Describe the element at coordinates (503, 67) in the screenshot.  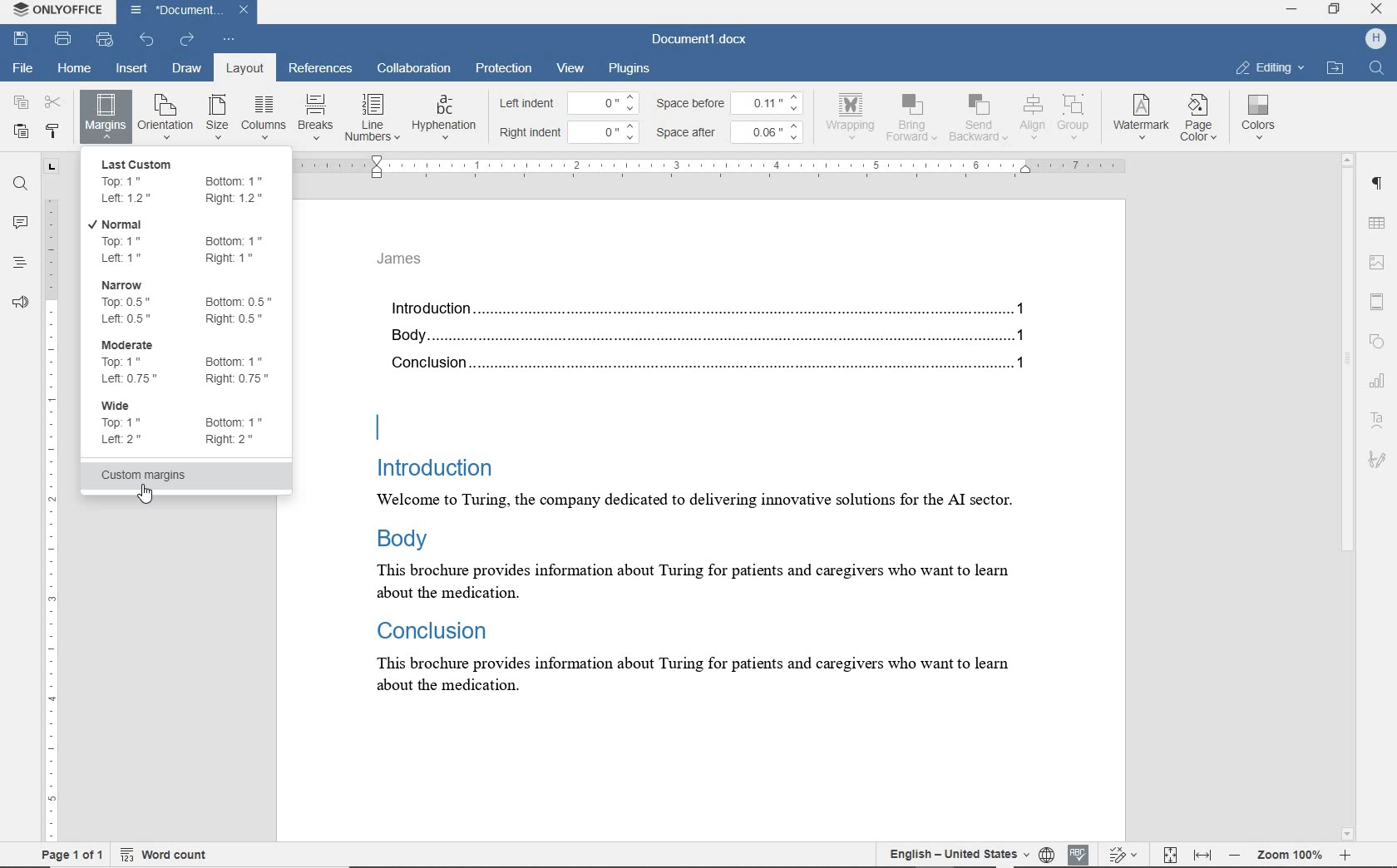
I see `protection` at that location.